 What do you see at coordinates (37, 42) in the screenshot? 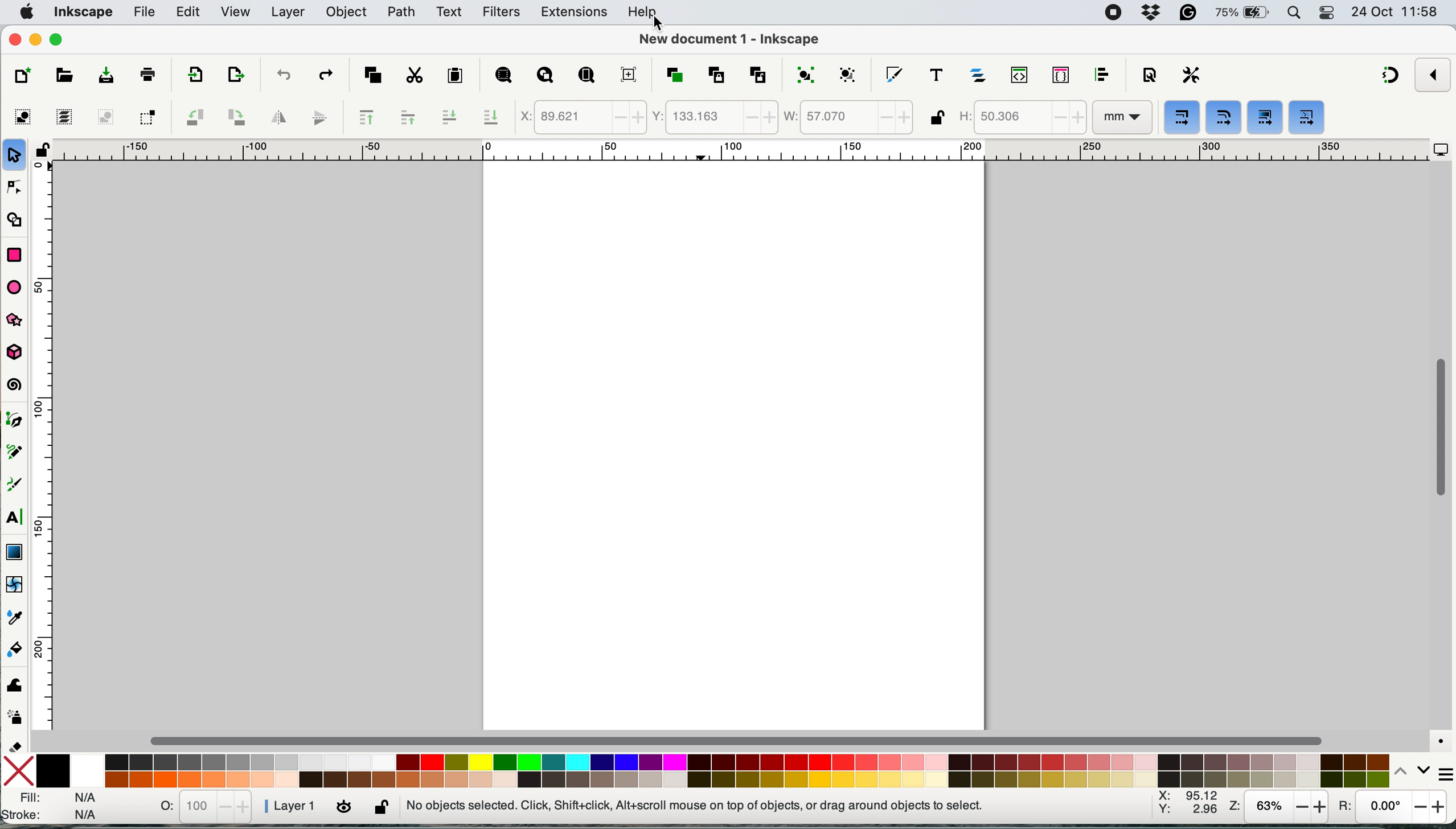
I see `minimise` at bounding box center [37, 42].